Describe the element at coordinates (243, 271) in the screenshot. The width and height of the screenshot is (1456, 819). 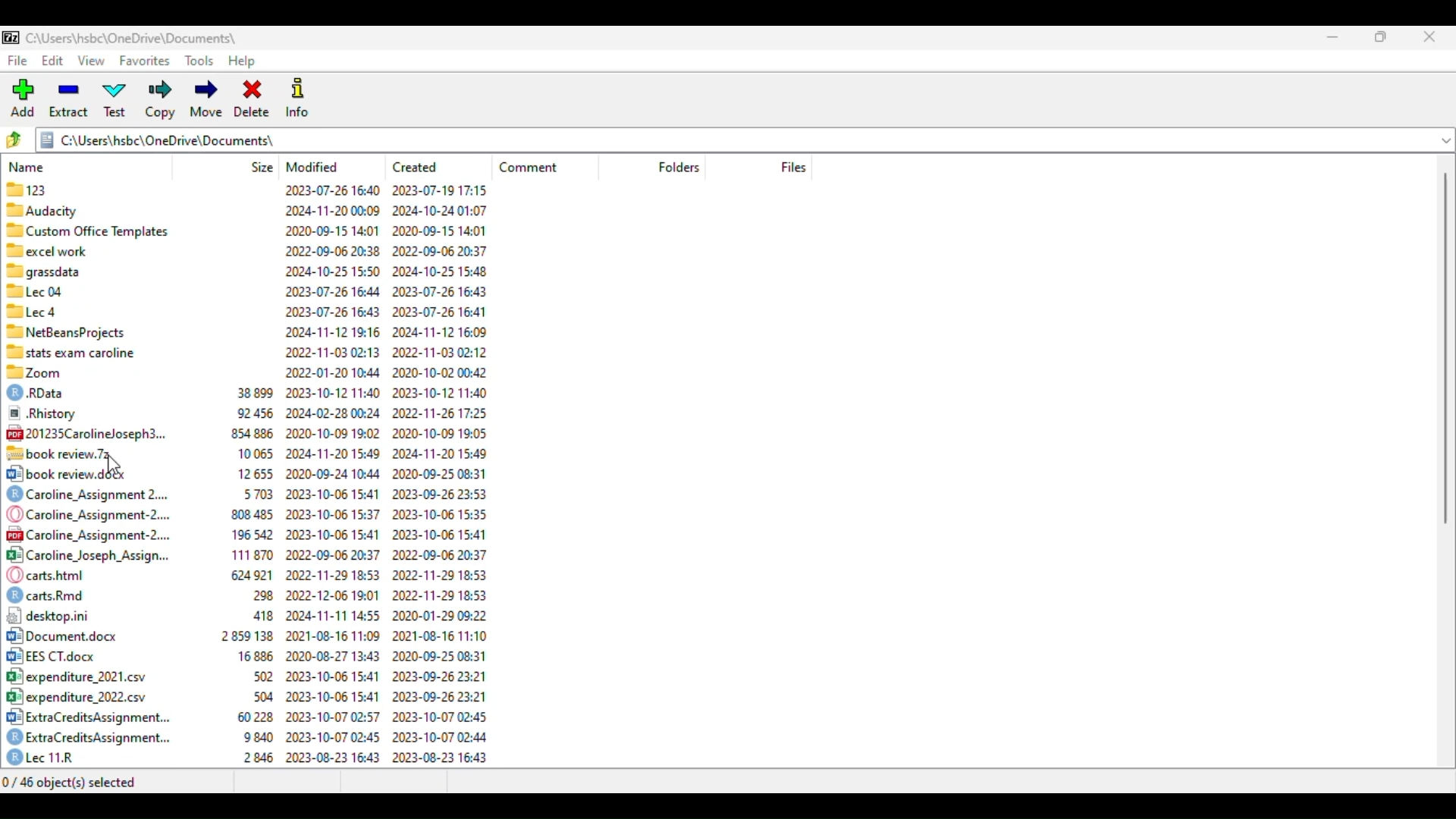
I see `7 grassdata 2024-10-25 15:50 2024-10-25 15:48` at that location.